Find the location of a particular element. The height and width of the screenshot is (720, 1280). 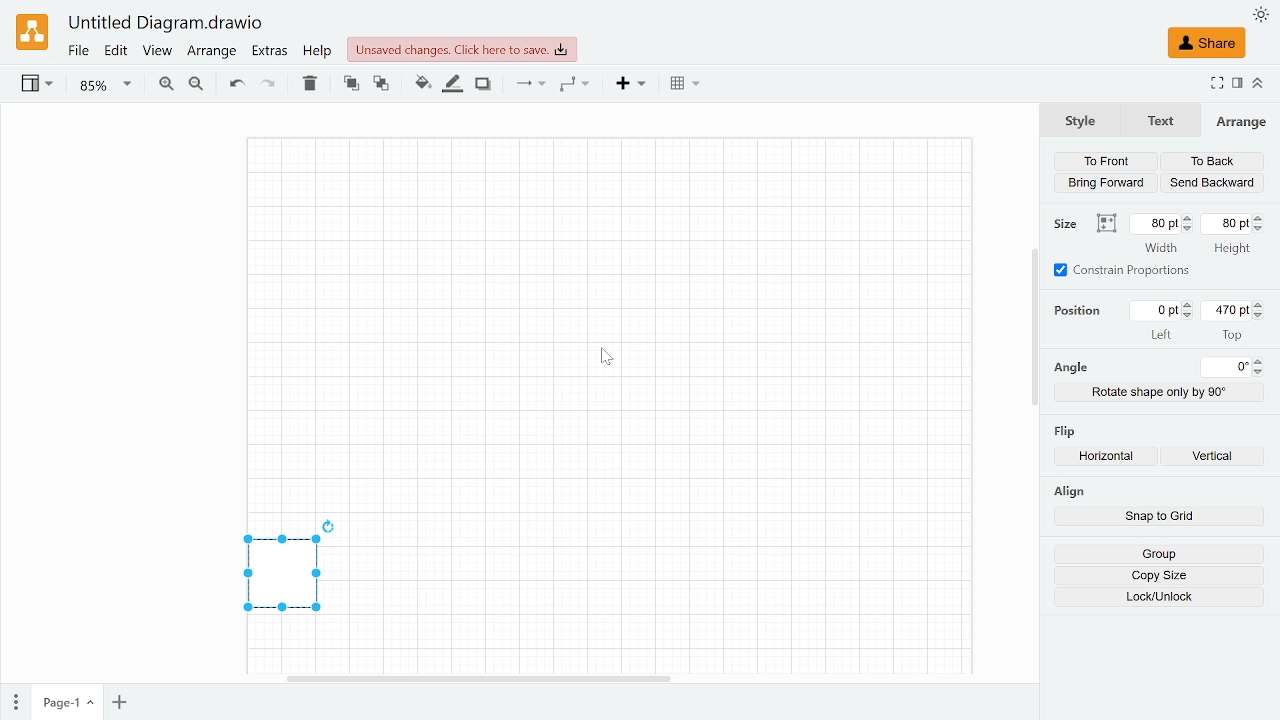

left is located at coordinates (1162, 334).